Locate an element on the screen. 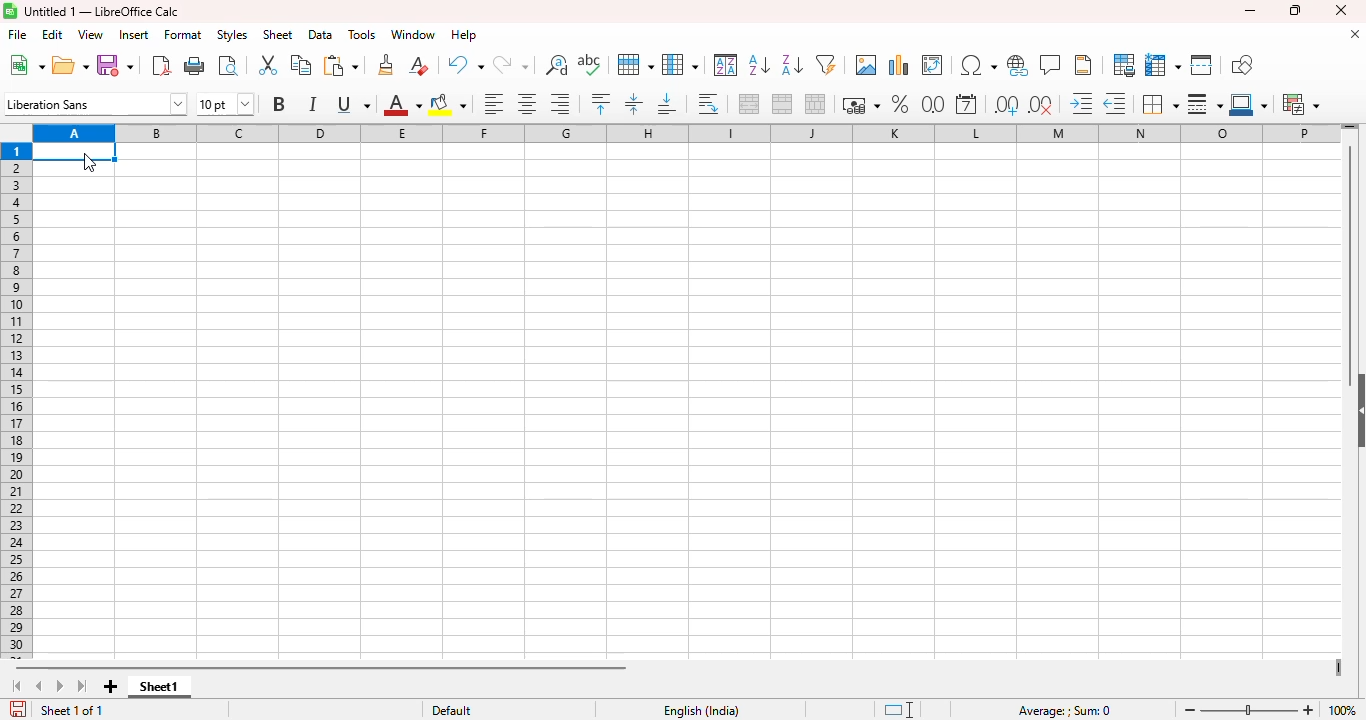 The image size is (1366, 720). border color is located at coordinates (1249, 105).